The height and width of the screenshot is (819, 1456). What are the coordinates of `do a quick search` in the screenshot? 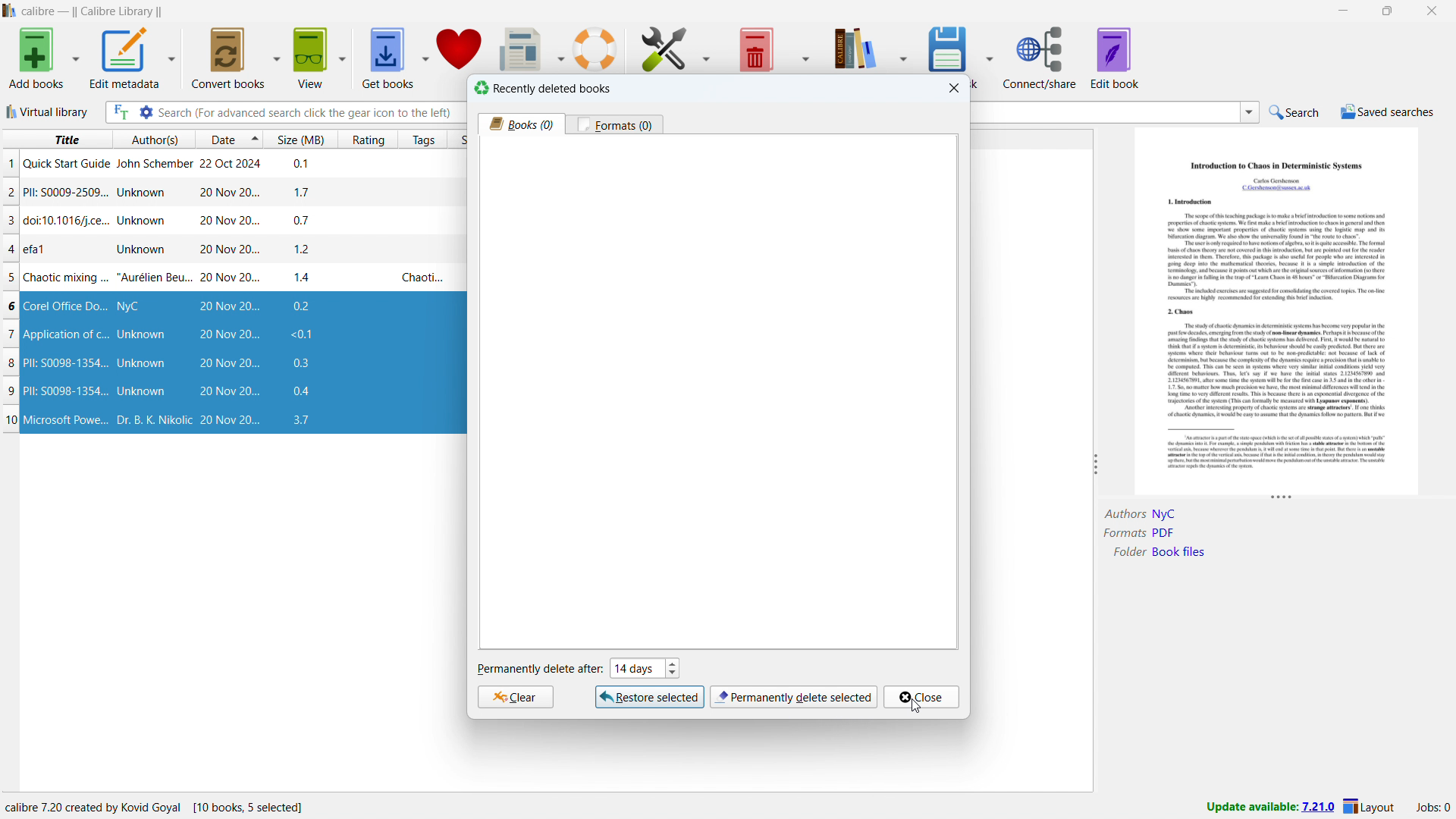 It's located at (1295, 113).